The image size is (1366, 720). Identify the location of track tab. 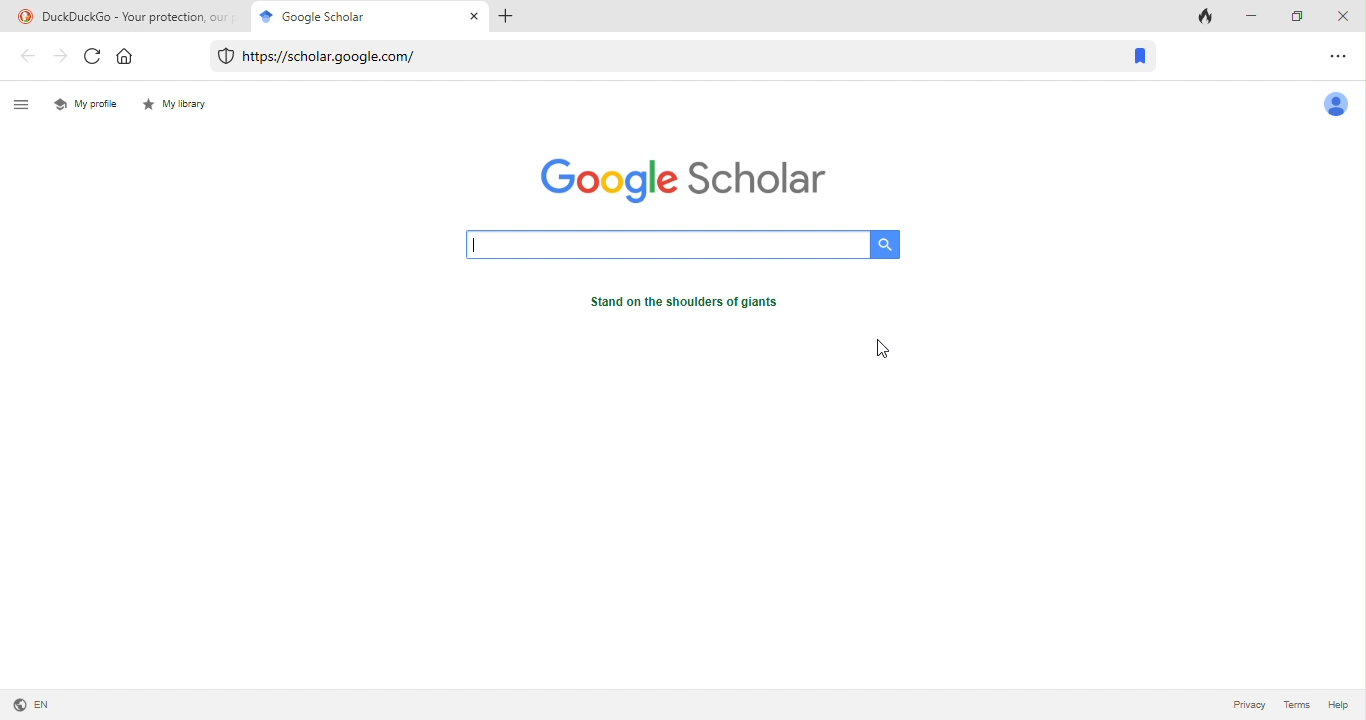
(1210, 15).